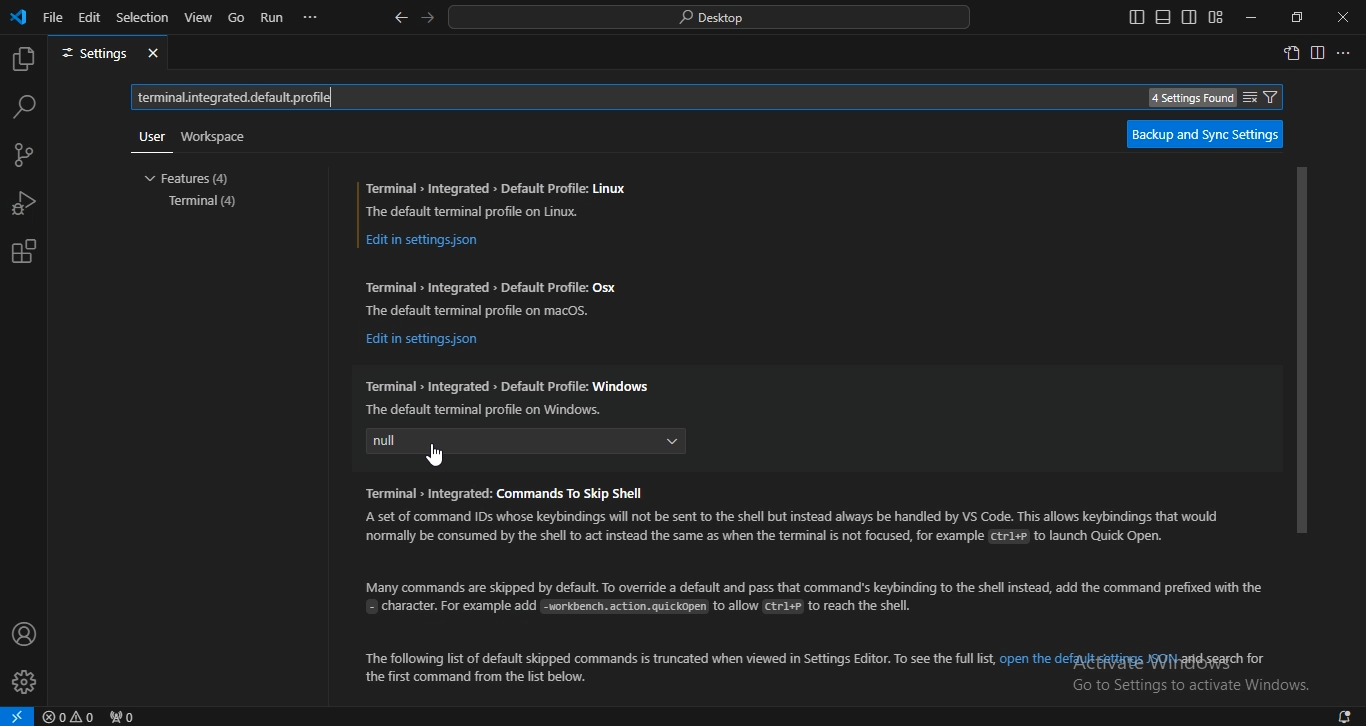 This screenshot has height=726, width=1366. Describe the element at coordinates (527, 443) in the screenshot. I see `null` at that location.